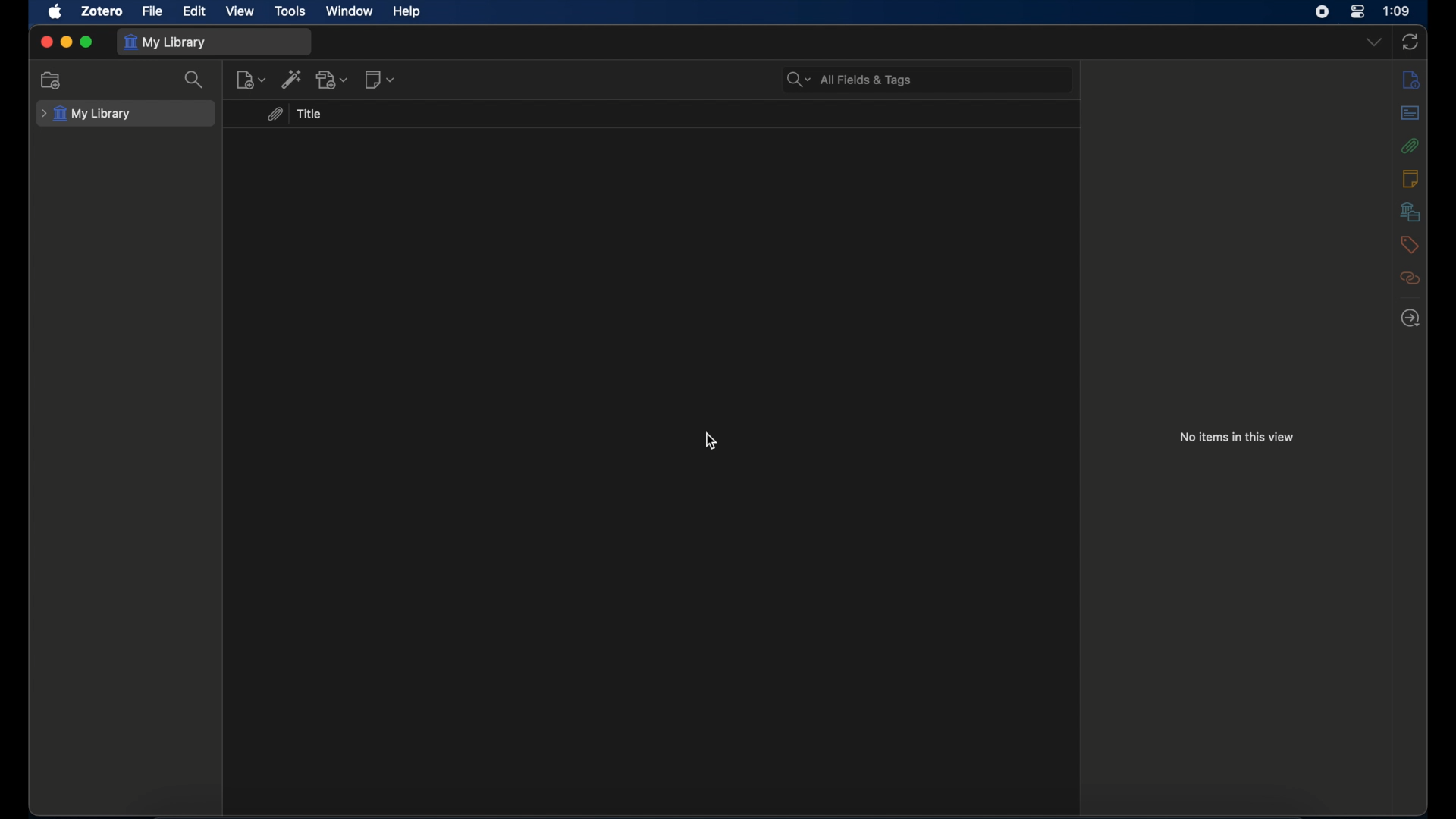 The width and height of the screenshot is (1456, 819). What do you see at coordinates (291, 11) in the screenshot?
I see `tools` at bounding box center [291, 11].